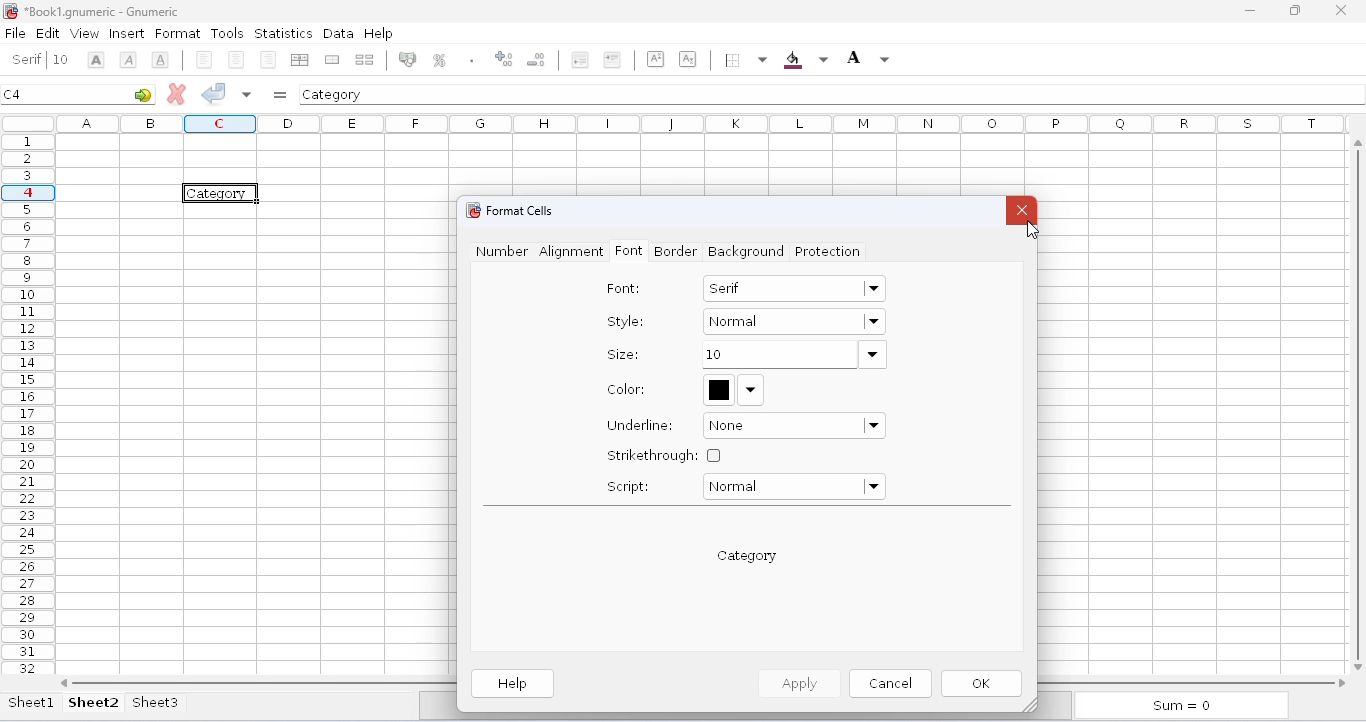 The height and width of the screenshot is (722, 1366). Describe the element at coordinates (48, 32) in the screenshot. I see `edit` at that location.